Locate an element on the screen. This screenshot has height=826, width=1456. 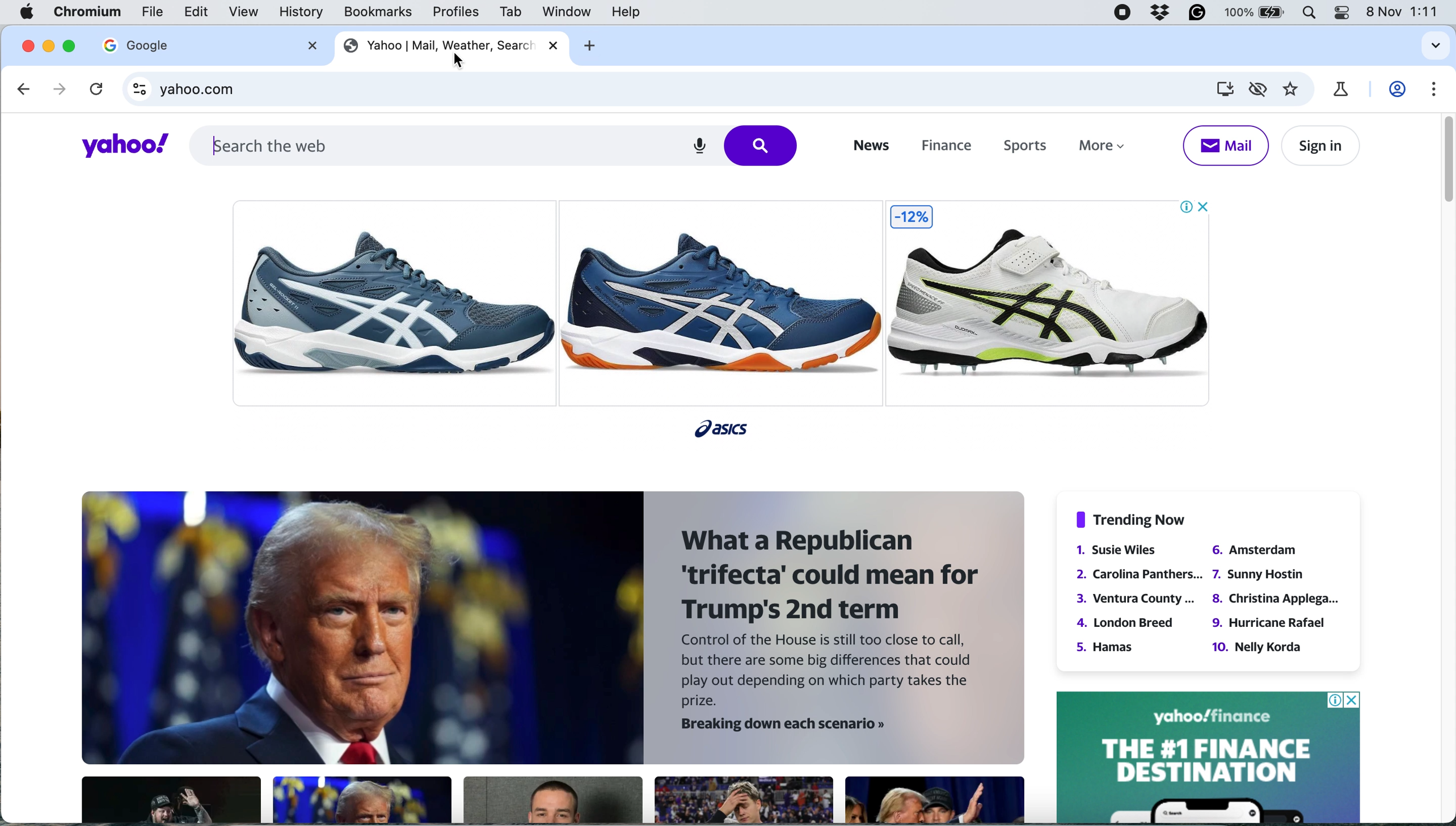
window is located at coordinates (567, 12).